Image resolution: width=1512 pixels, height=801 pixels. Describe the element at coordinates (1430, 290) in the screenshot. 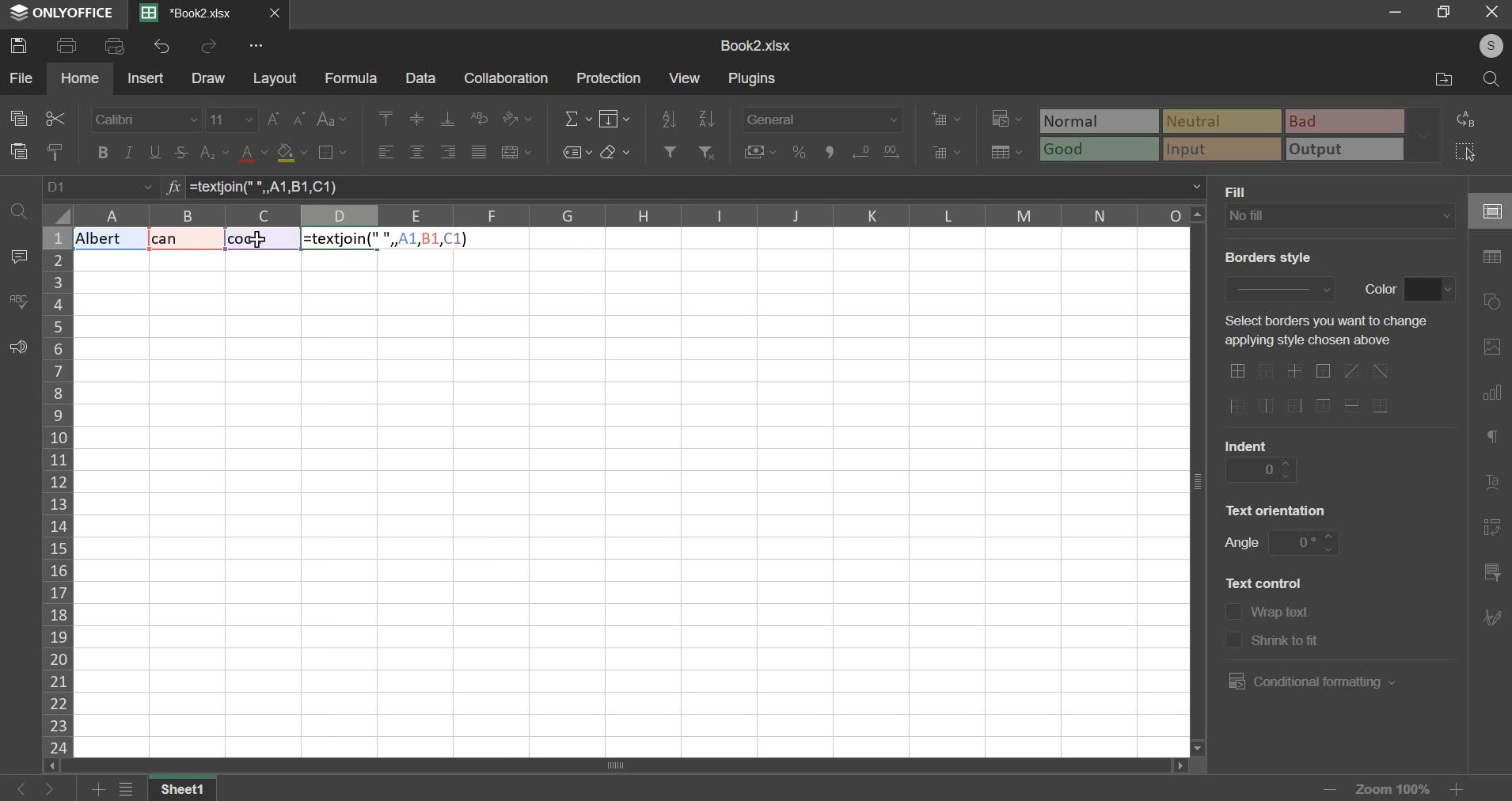

I see `border color` at that location.